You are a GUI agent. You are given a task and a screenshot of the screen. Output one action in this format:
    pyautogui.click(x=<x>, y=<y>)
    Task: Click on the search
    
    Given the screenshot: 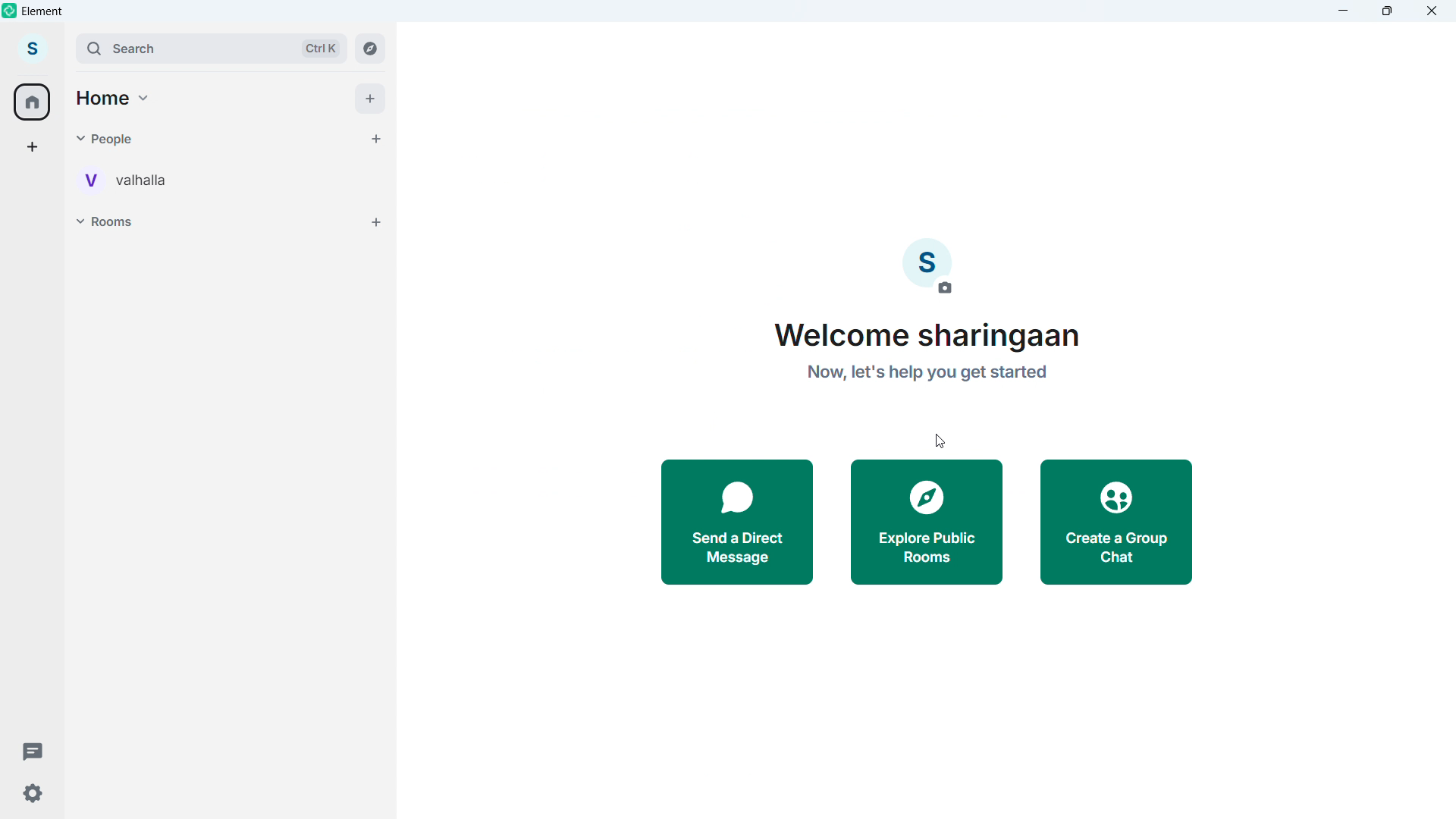 What is the action you would take?
    pyautogui.click(x=208, y=47)
    